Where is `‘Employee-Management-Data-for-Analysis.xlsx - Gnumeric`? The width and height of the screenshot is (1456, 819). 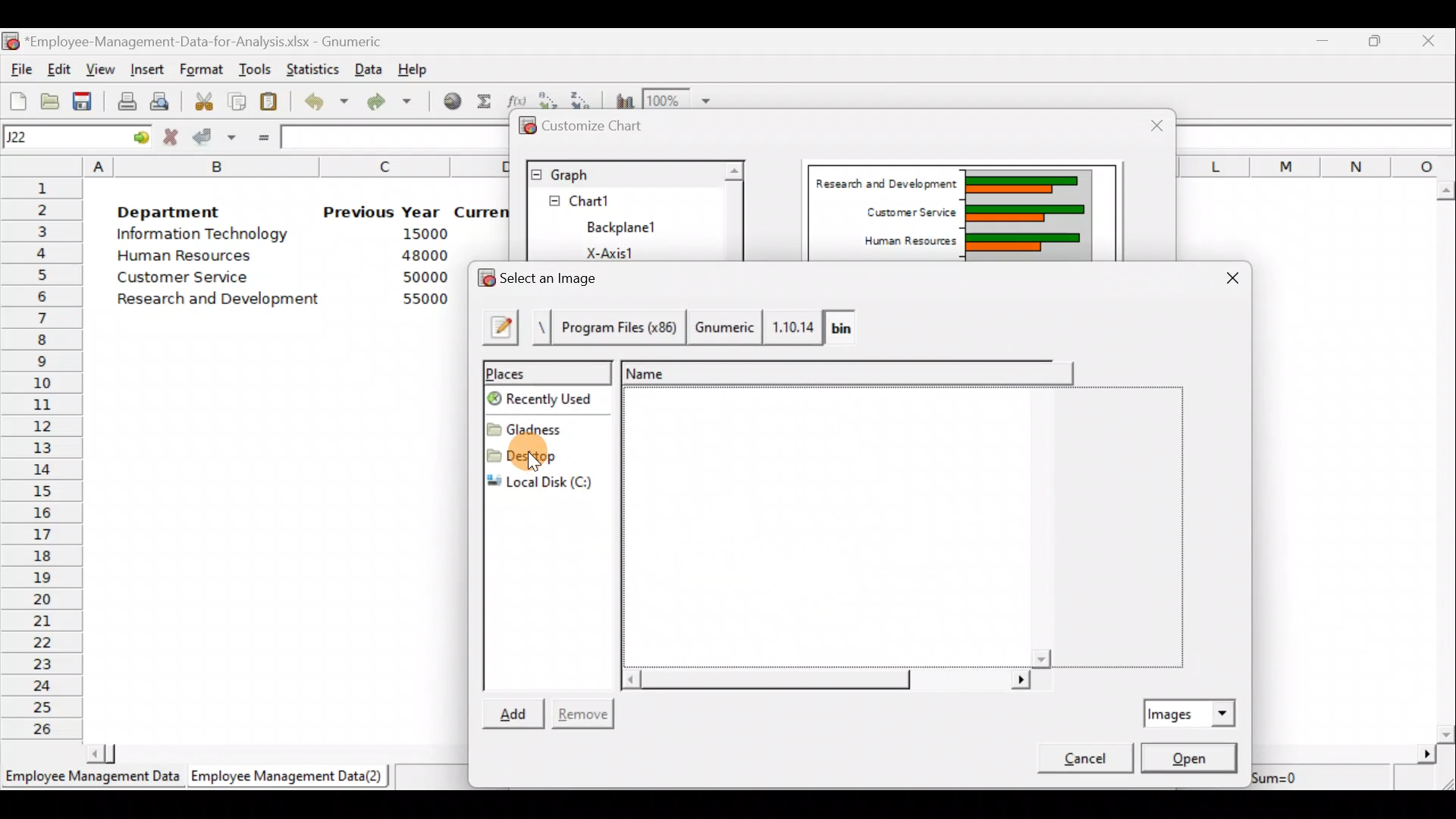 ‘Employee-Management-Data-for-Analysis.xlsx - Gnumeric is located at coordinates (219, 42).